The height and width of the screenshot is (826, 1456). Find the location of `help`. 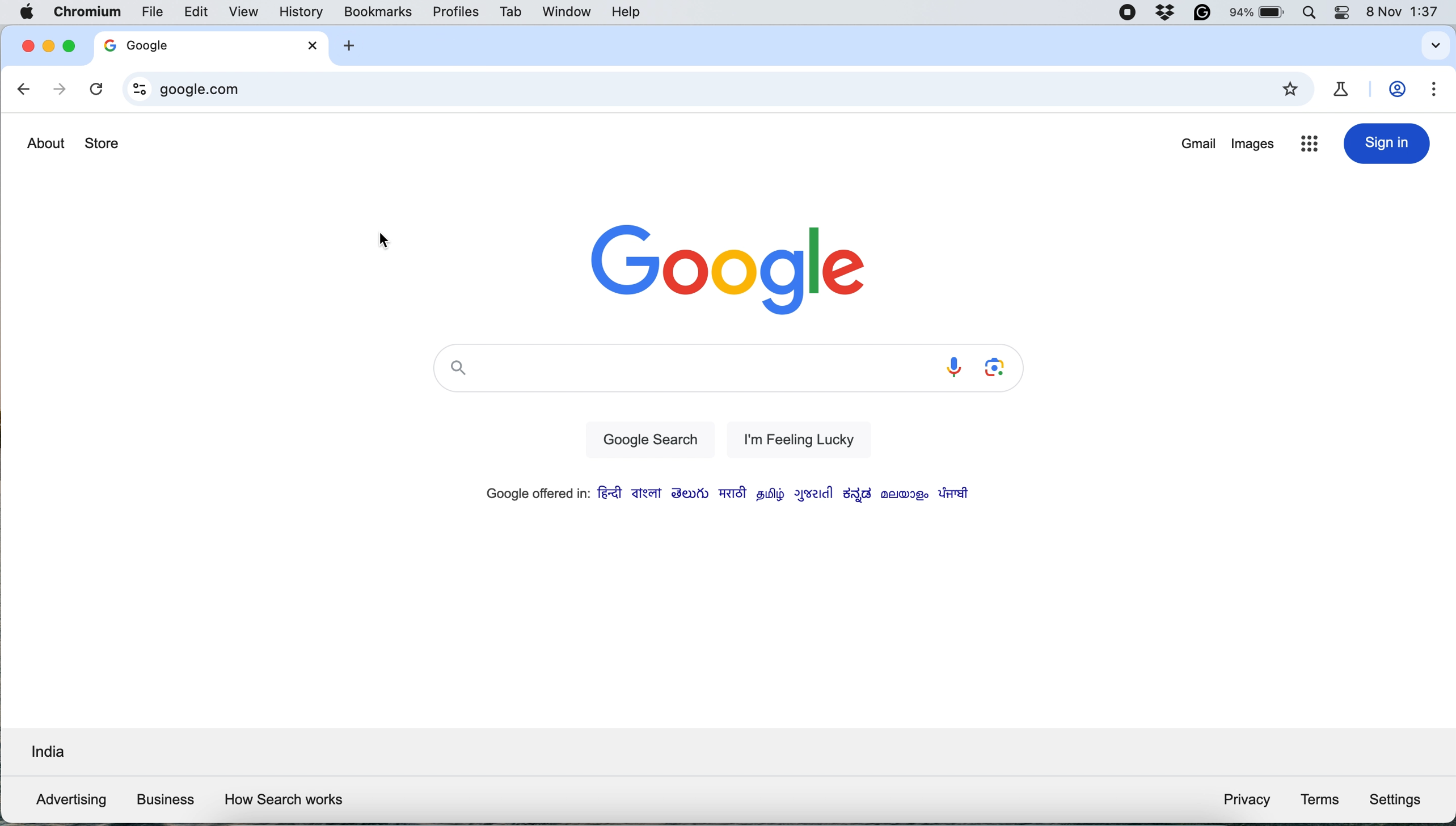

help is located at coordinates (625, 12).